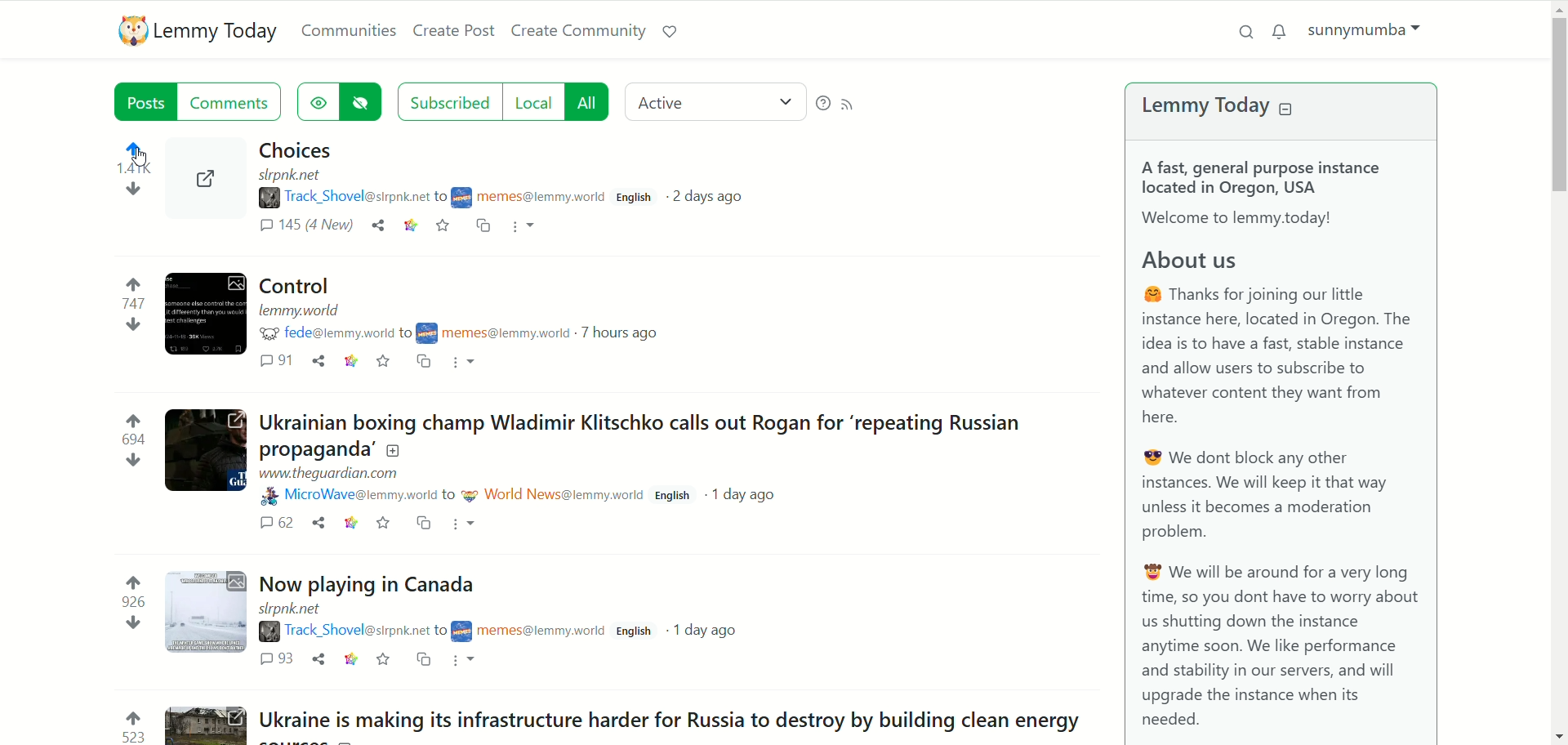 The image size is (1568, 745). What do you see at coordinates (131, 169) in the screenshot?
I see `1.41k` at bounding box center [131, 169].